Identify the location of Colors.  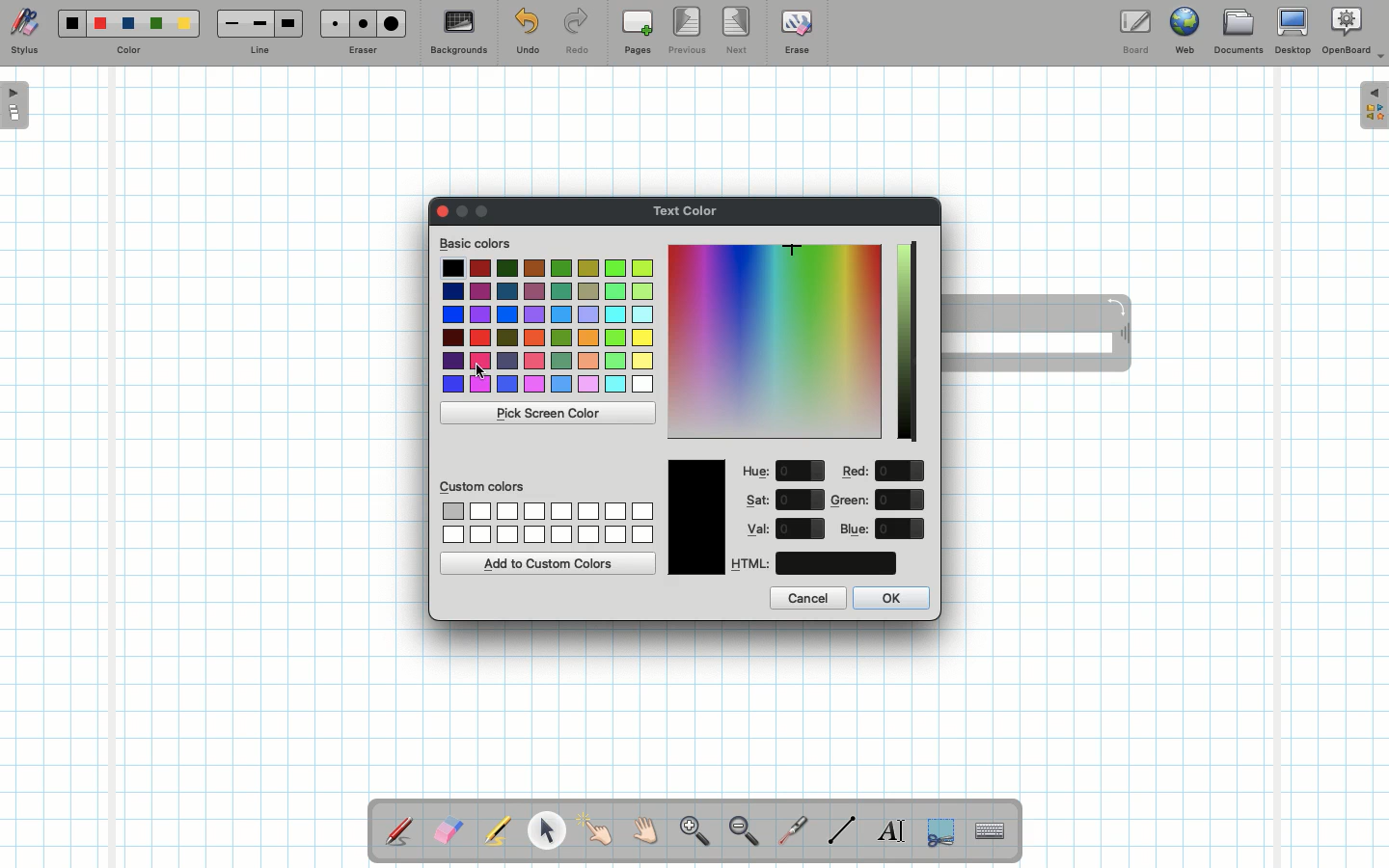
(548, 328).